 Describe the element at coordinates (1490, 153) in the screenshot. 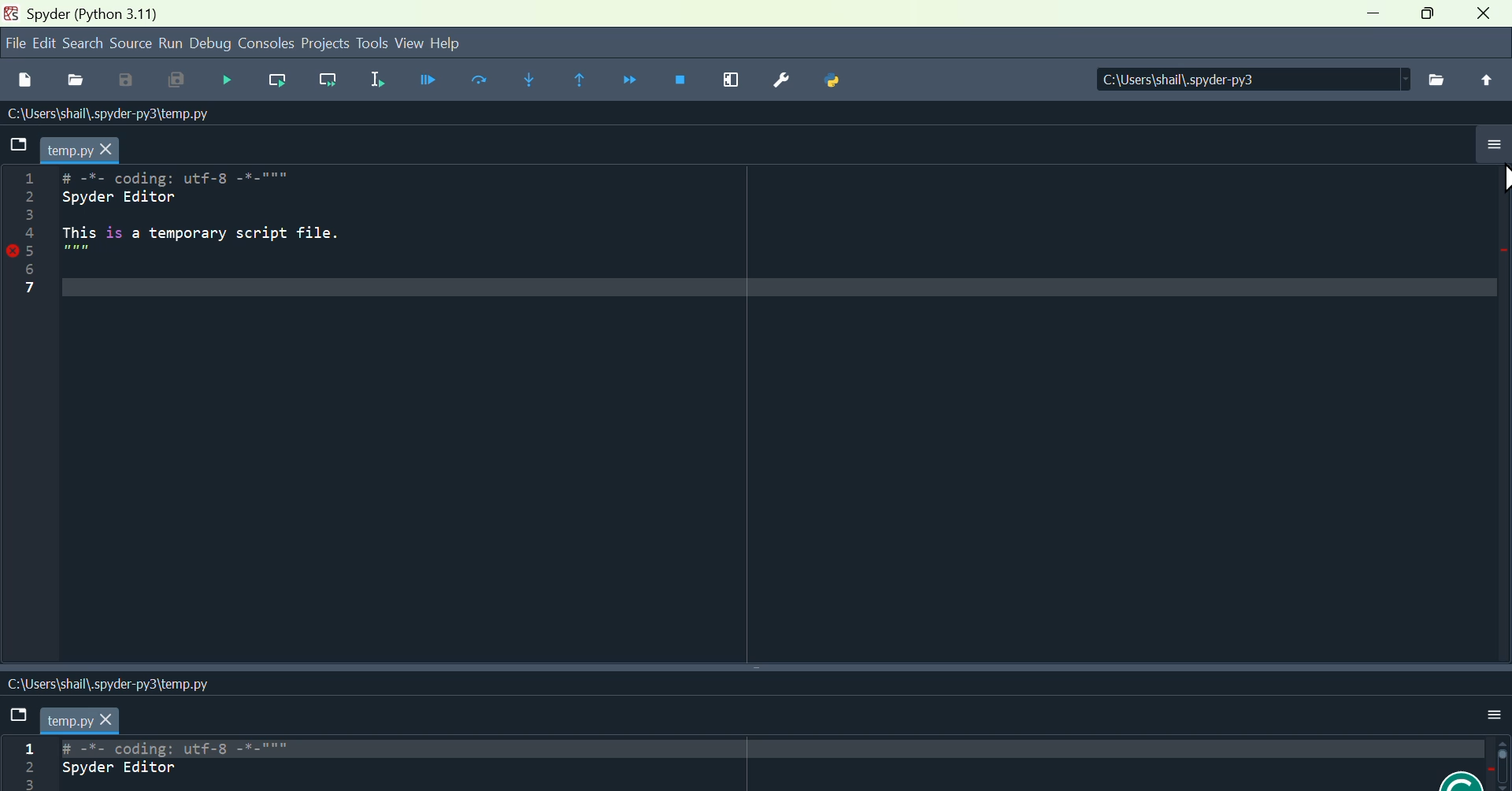

I see `More options` at that location.